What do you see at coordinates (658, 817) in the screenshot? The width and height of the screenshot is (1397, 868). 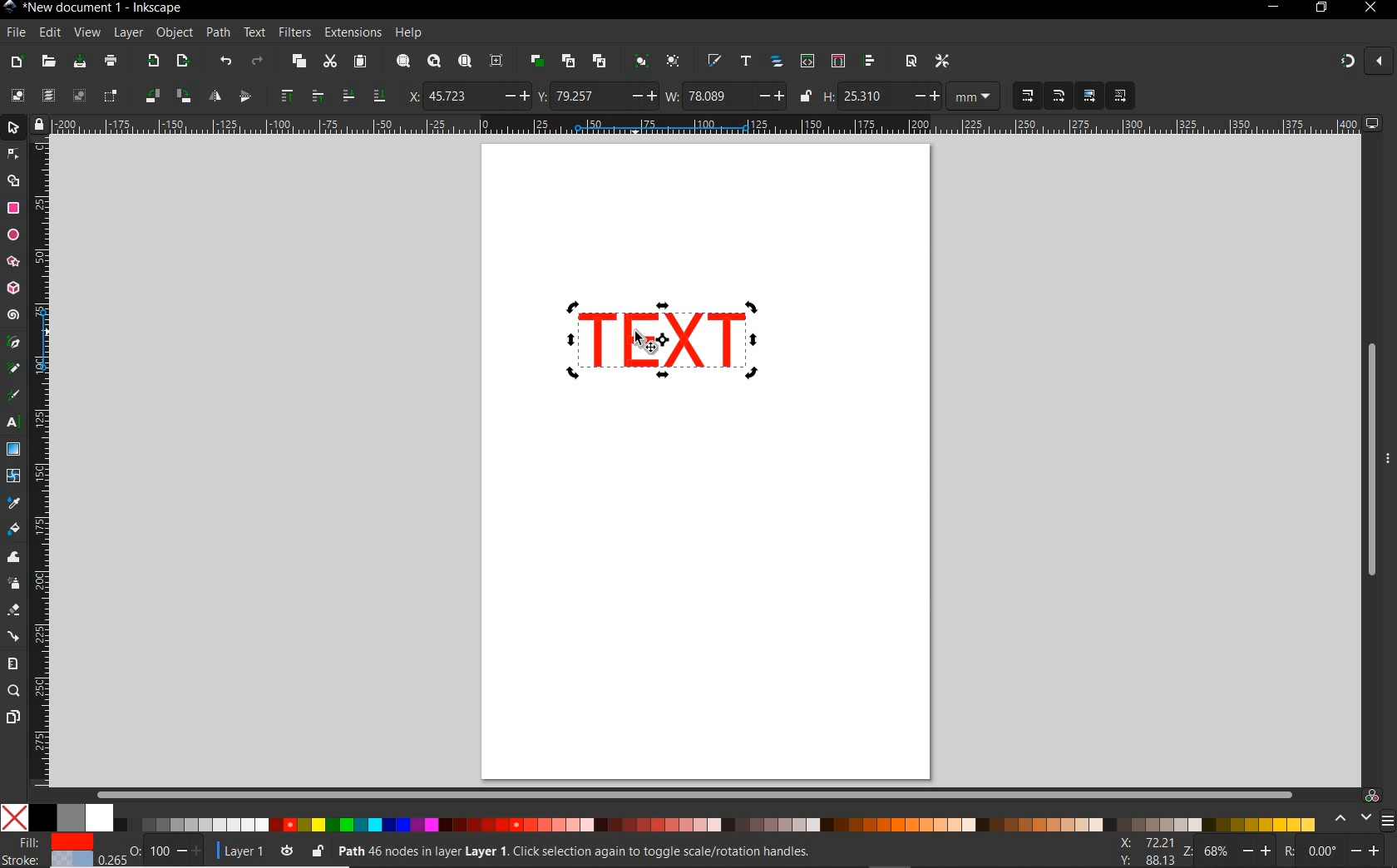 I see `COLOR MODE` at bounding box center [658, 817].